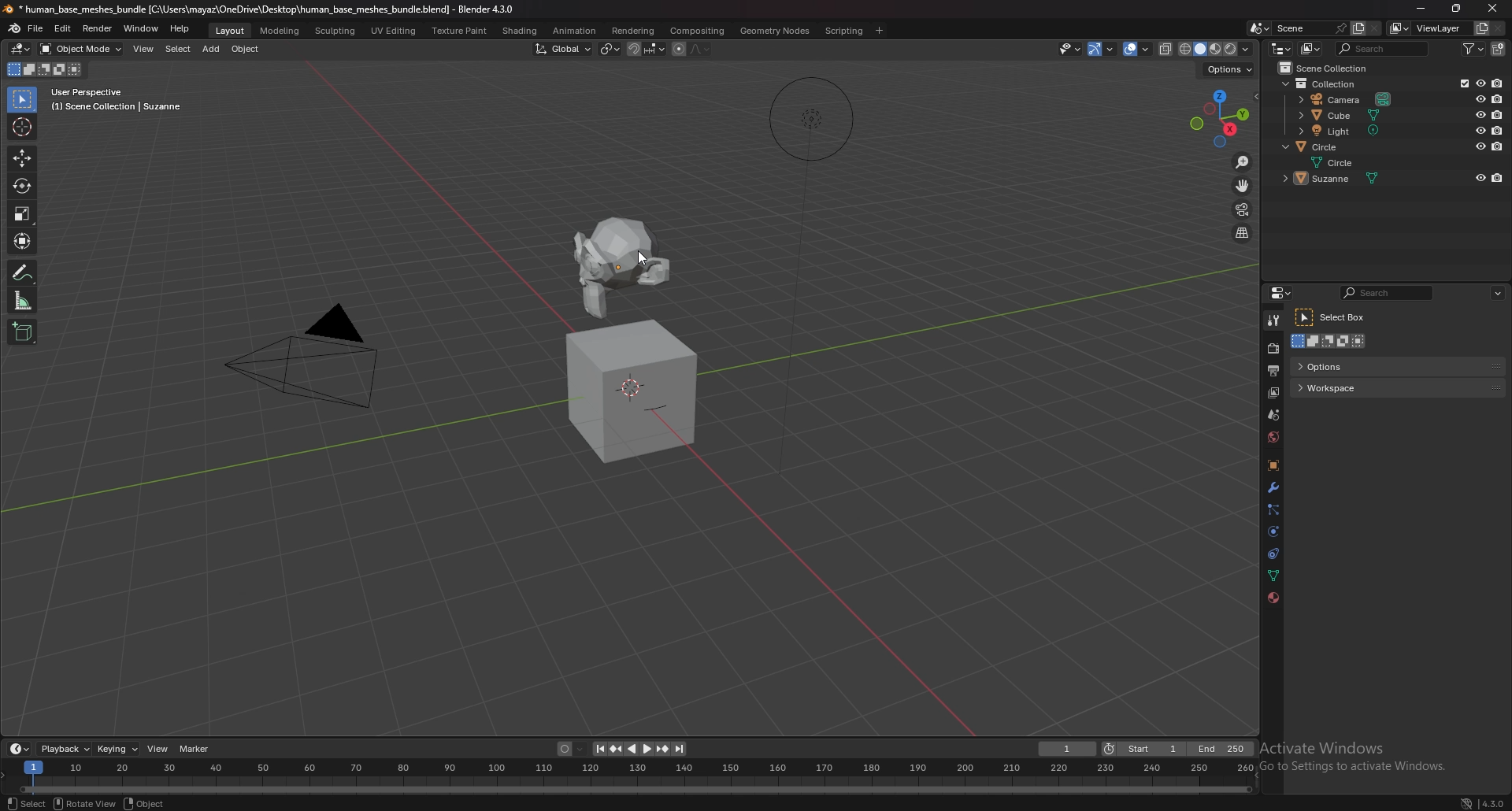 The image size is (1512, 811). Describe the element at coordinates (639, 749) in the screenshot. I see `play animation` at that location.